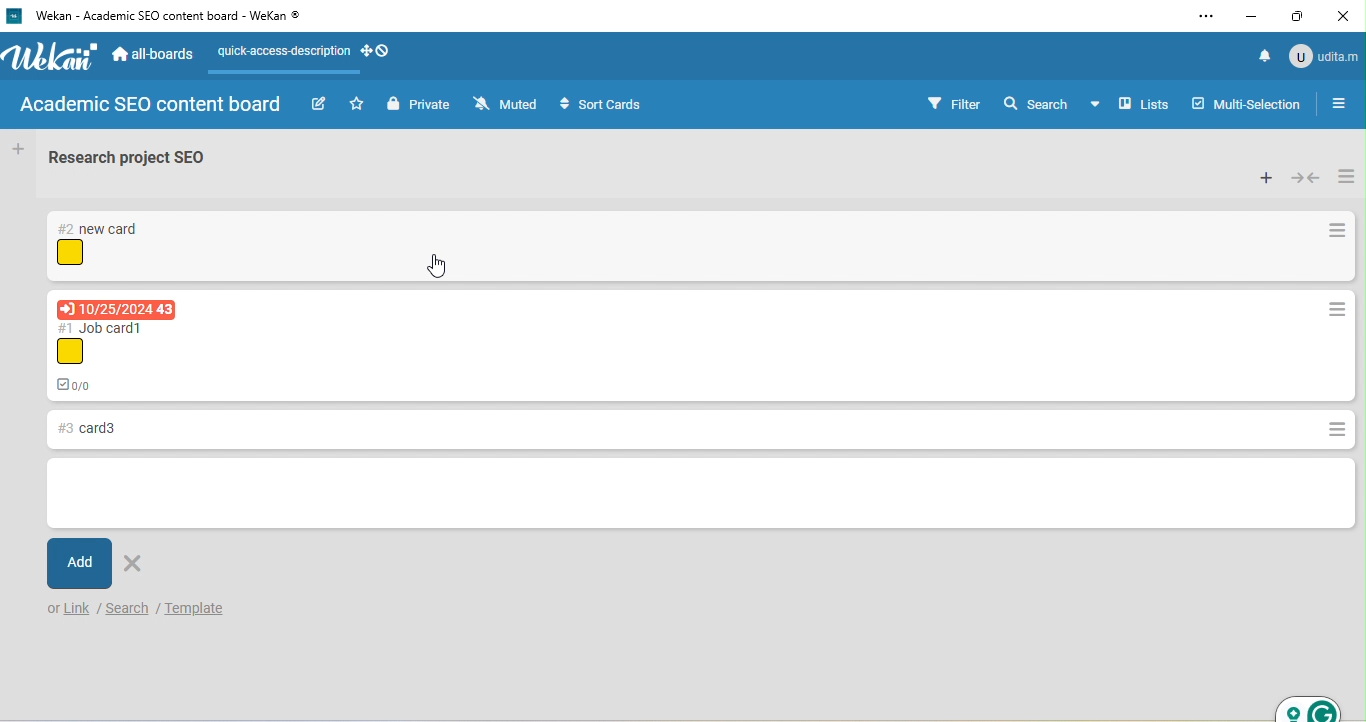  I want to click on wekan, so click(53, 58).